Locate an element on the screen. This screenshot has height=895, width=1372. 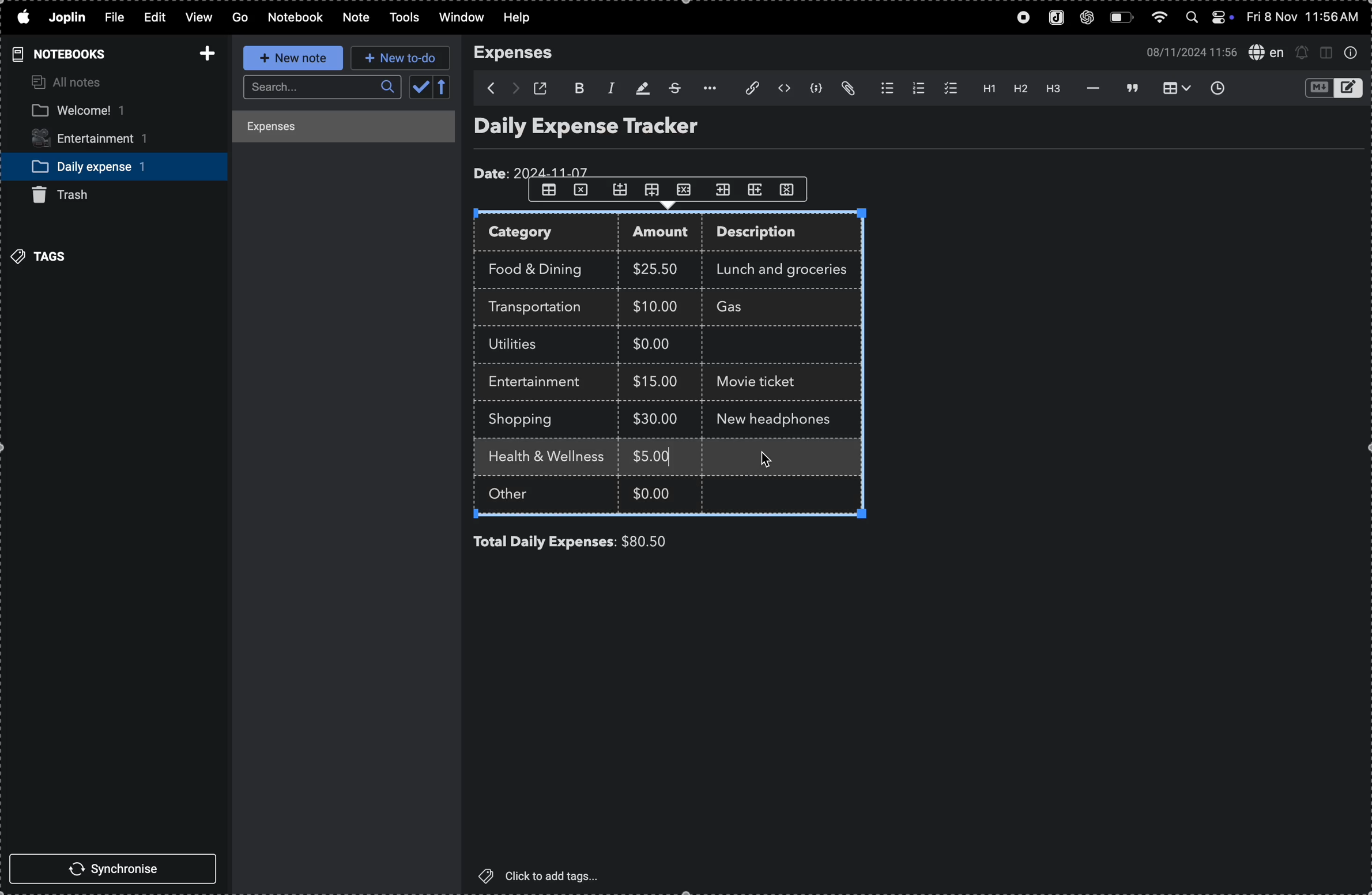
tools is located at coordinates (401, 18).